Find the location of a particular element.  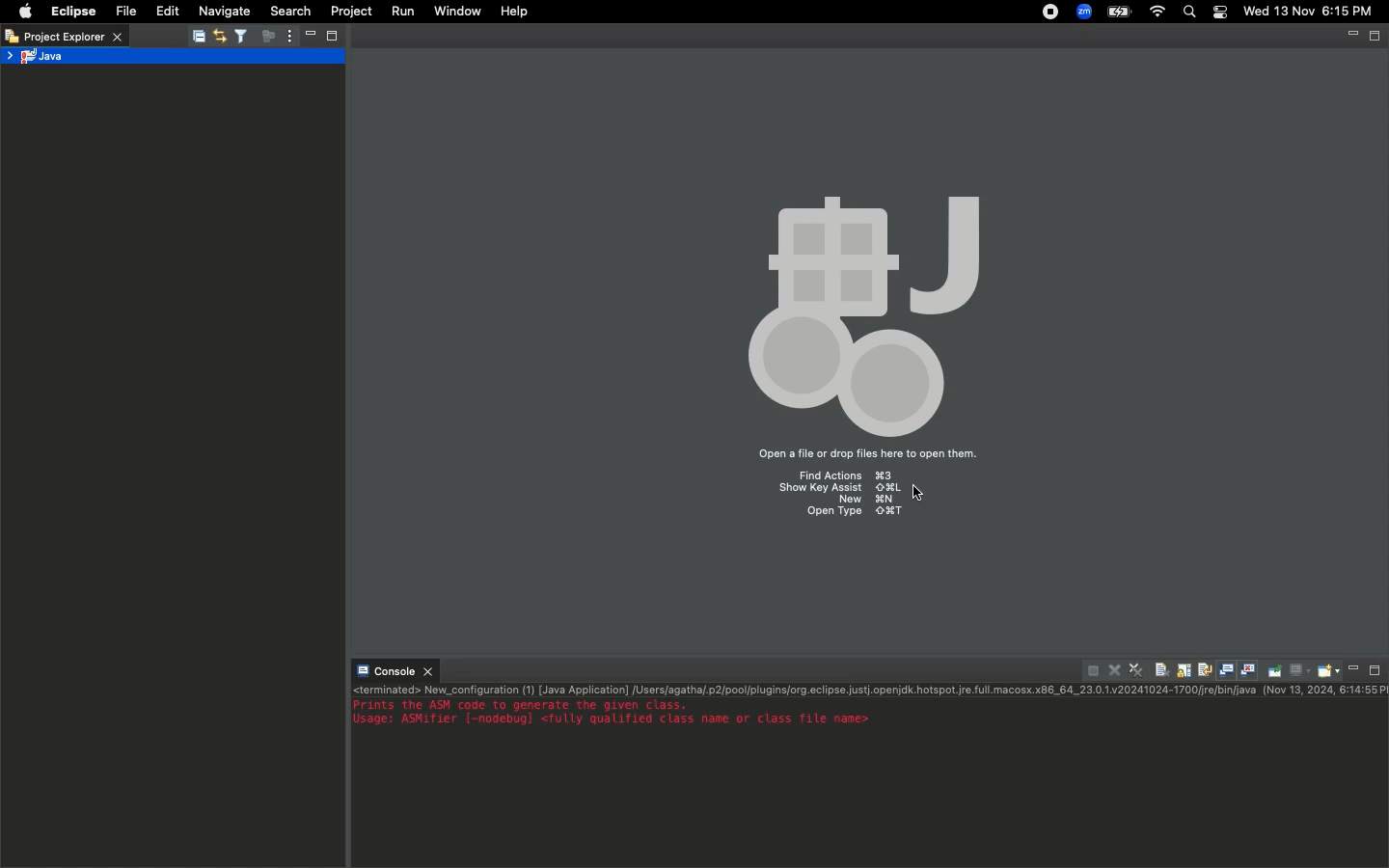

Display selected console is located at coordinates (1303, 671).